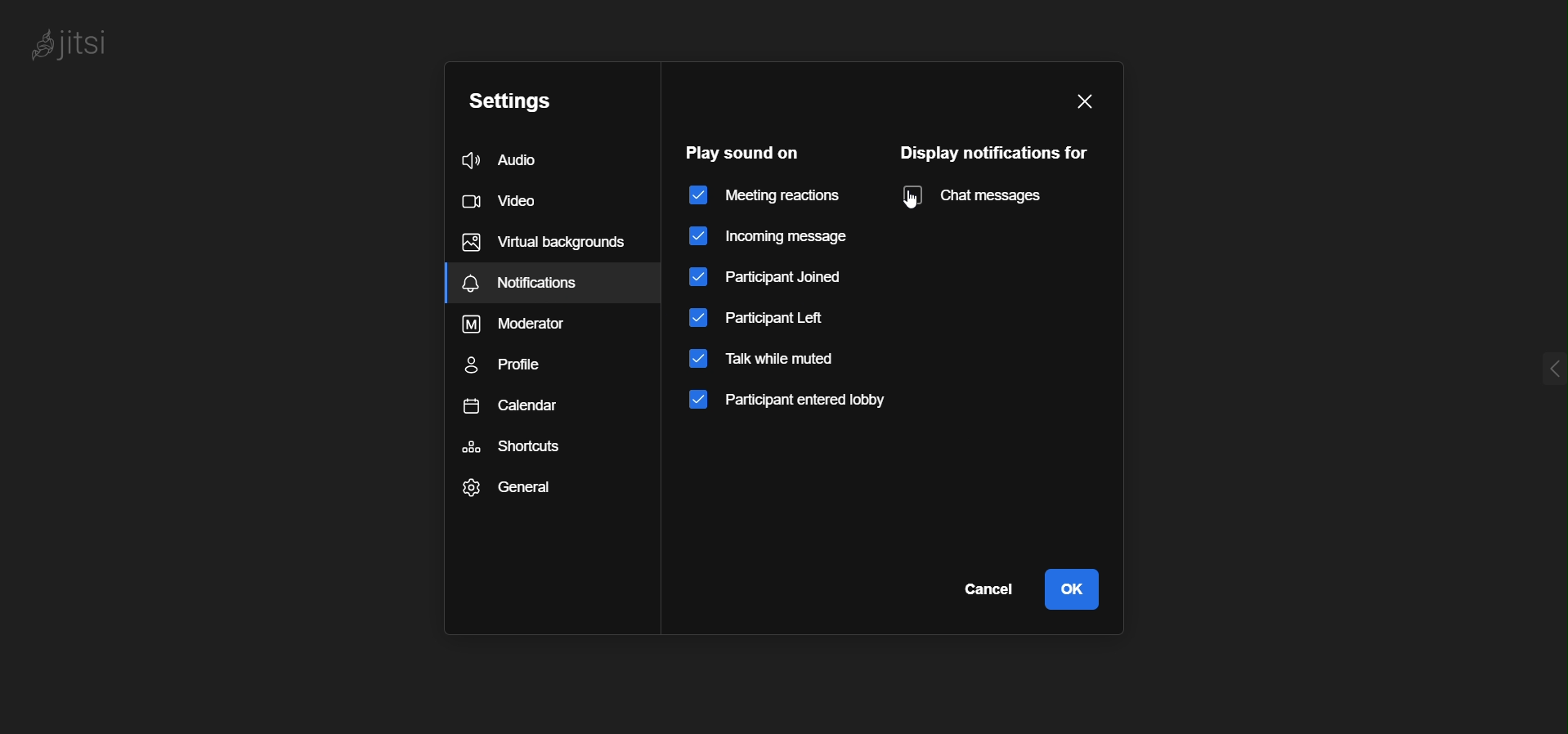  Describe the element at coordinates (1071, 587) in the screenshot. I see `ok` at that location.